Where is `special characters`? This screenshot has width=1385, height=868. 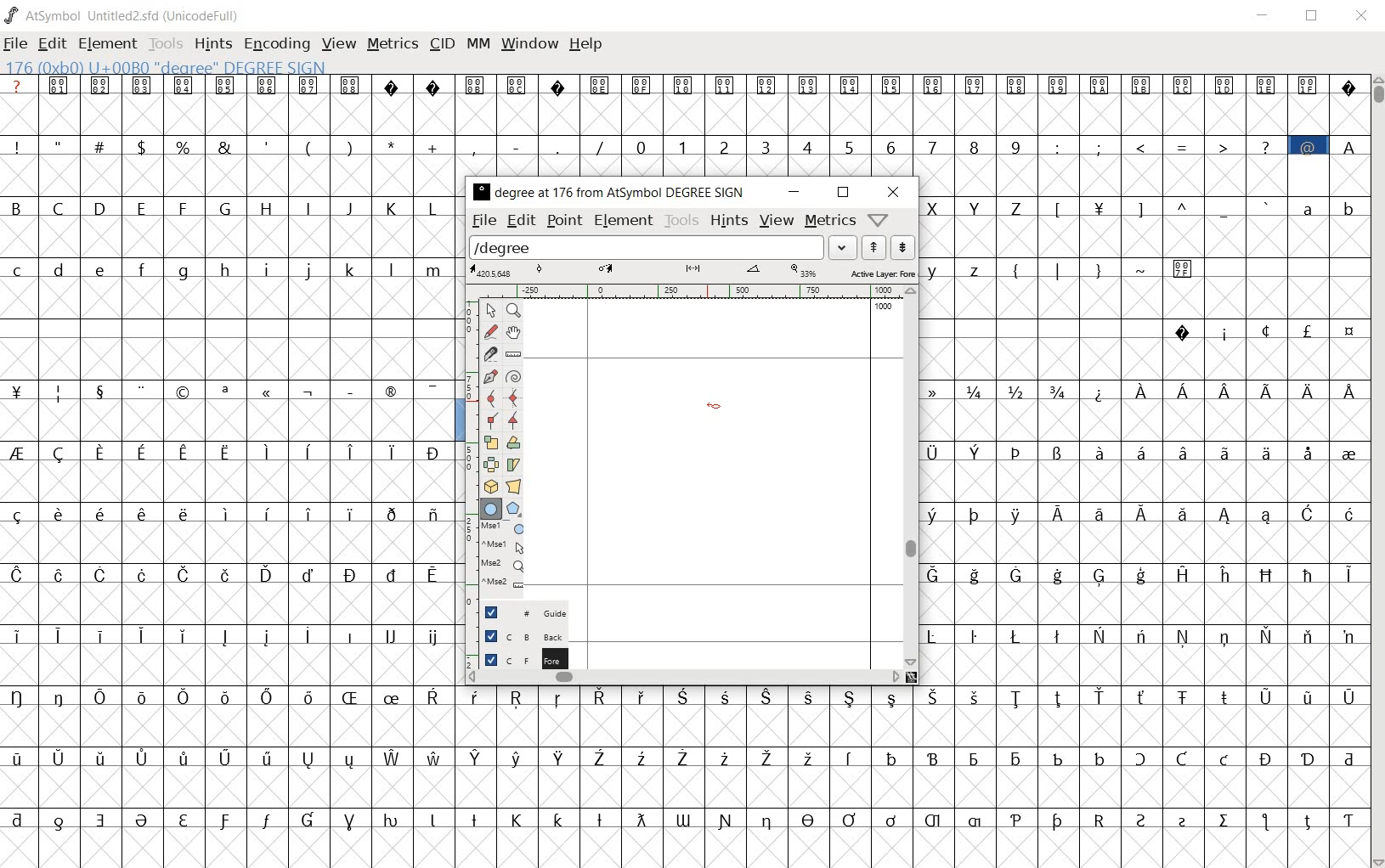 special characters is located at coordinates (229, 392).